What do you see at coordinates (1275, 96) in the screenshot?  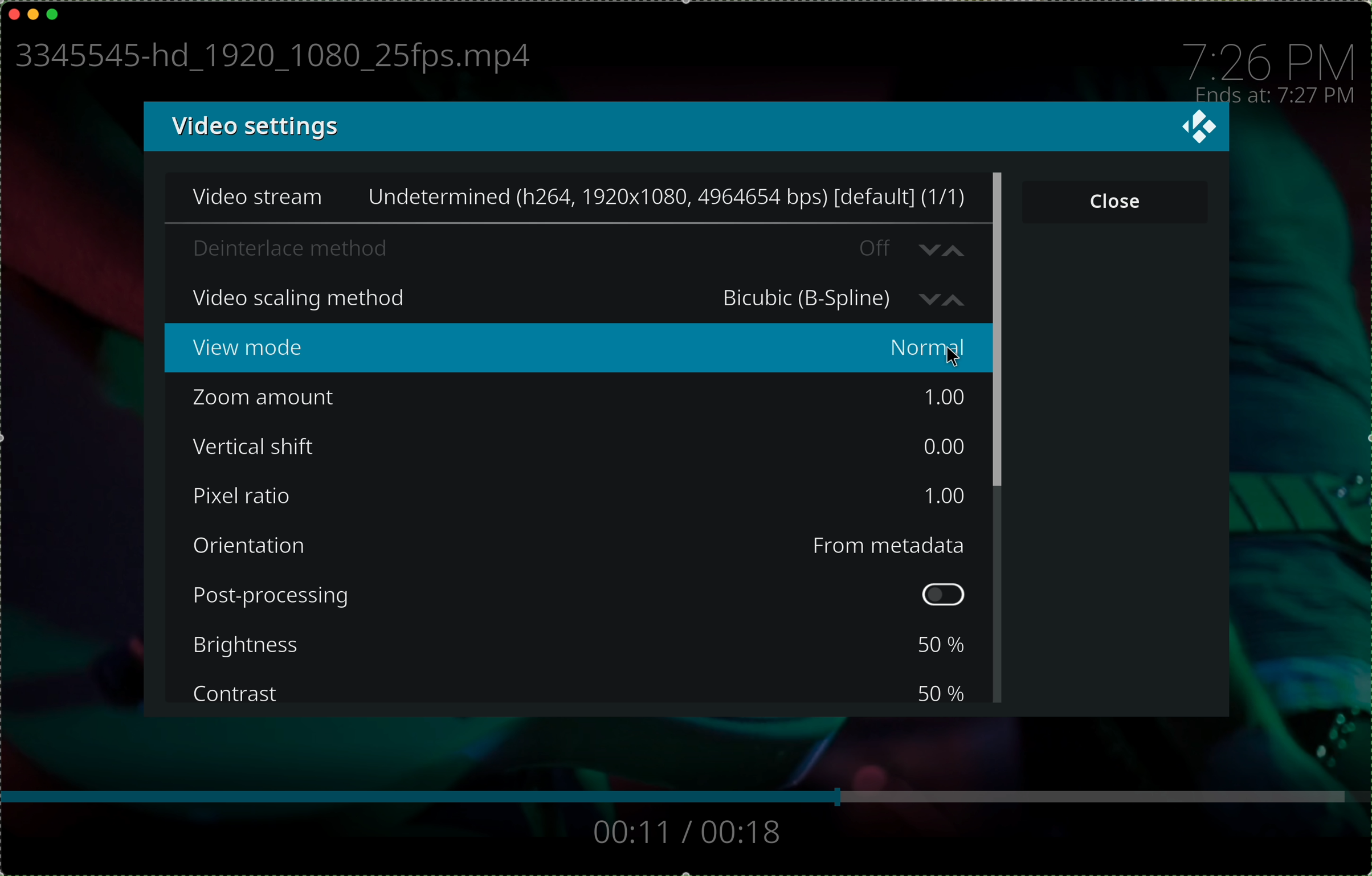 I see `ends at: 7:27 PM` at bounding box center [1275, 96].